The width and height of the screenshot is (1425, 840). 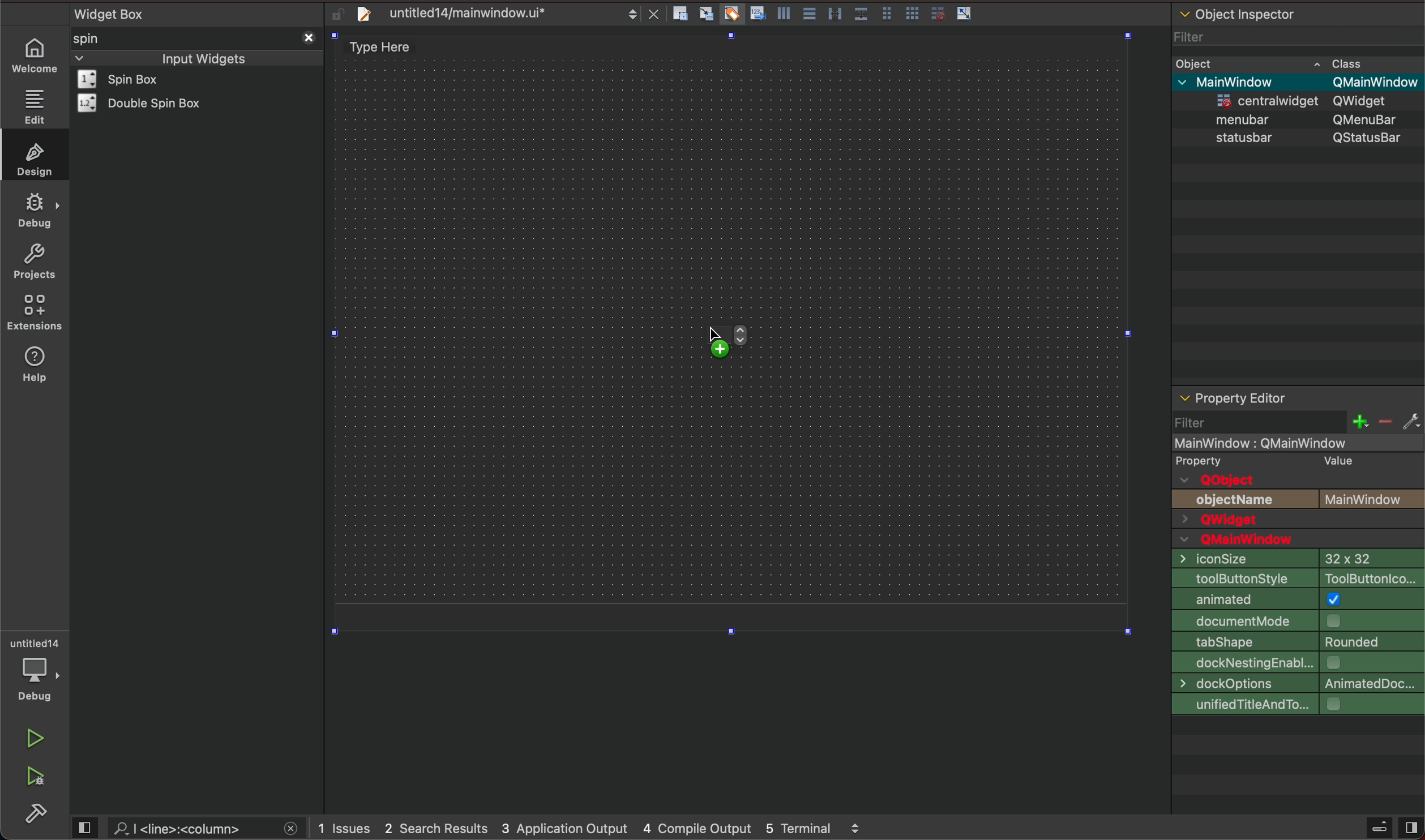 What do you see at coordinates (1373, 499) in the screenshot?
I see `text` at bounding box center [1373, 499].